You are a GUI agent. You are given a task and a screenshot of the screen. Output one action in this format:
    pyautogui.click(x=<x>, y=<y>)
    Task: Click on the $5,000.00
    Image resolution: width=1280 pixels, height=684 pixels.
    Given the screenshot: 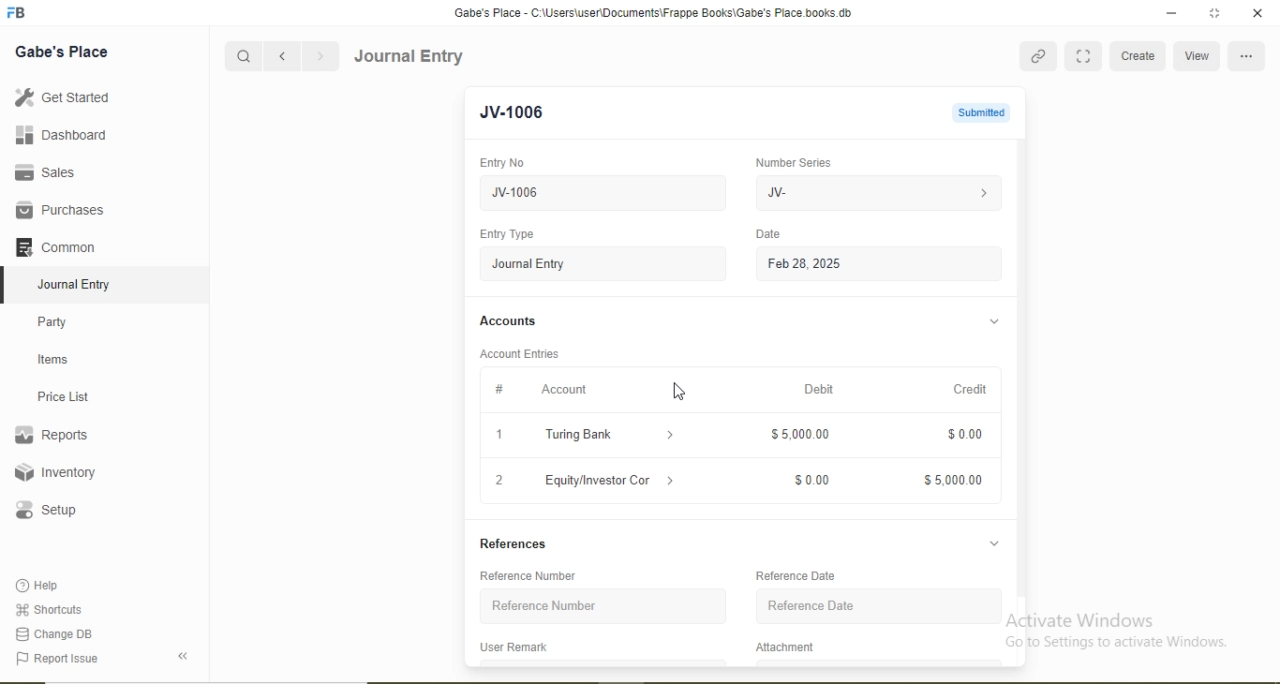 What is the action you would take?
    pyautogui.click(x=954, y=481)
    